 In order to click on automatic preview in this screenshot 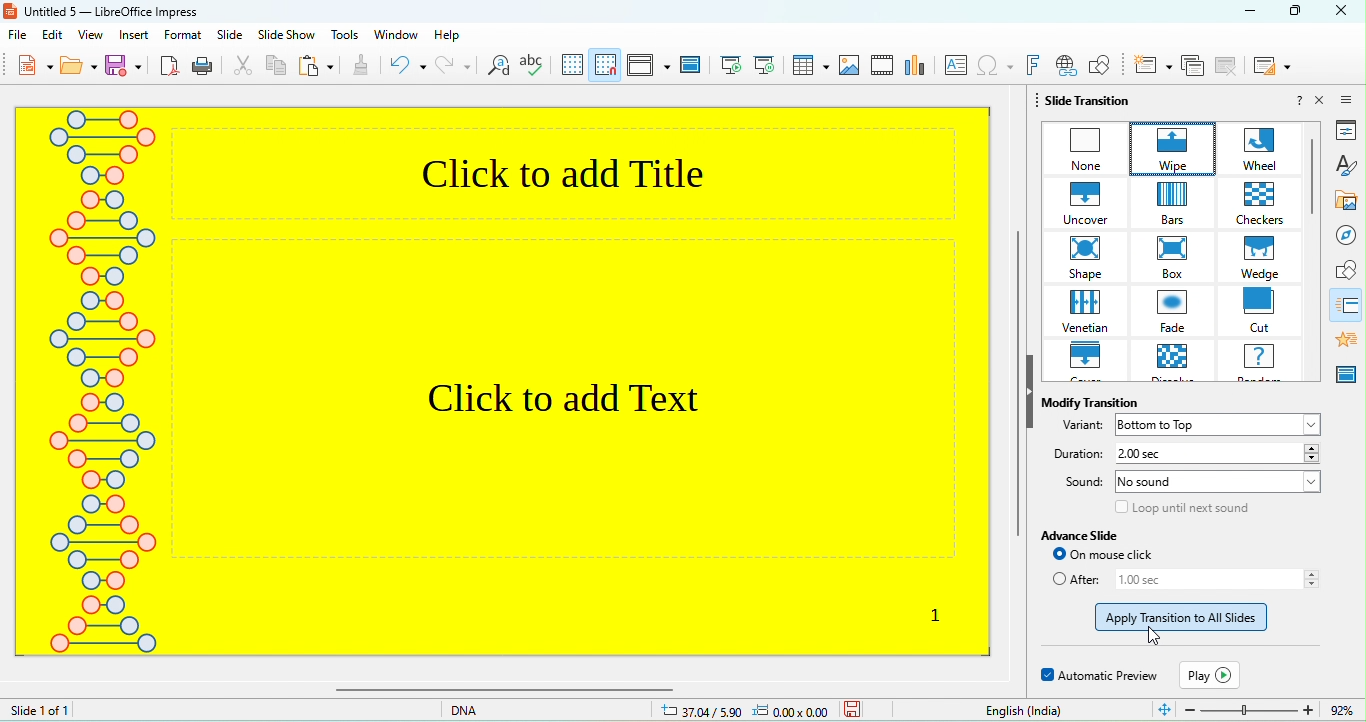, I will do `click(1096, 674)`.